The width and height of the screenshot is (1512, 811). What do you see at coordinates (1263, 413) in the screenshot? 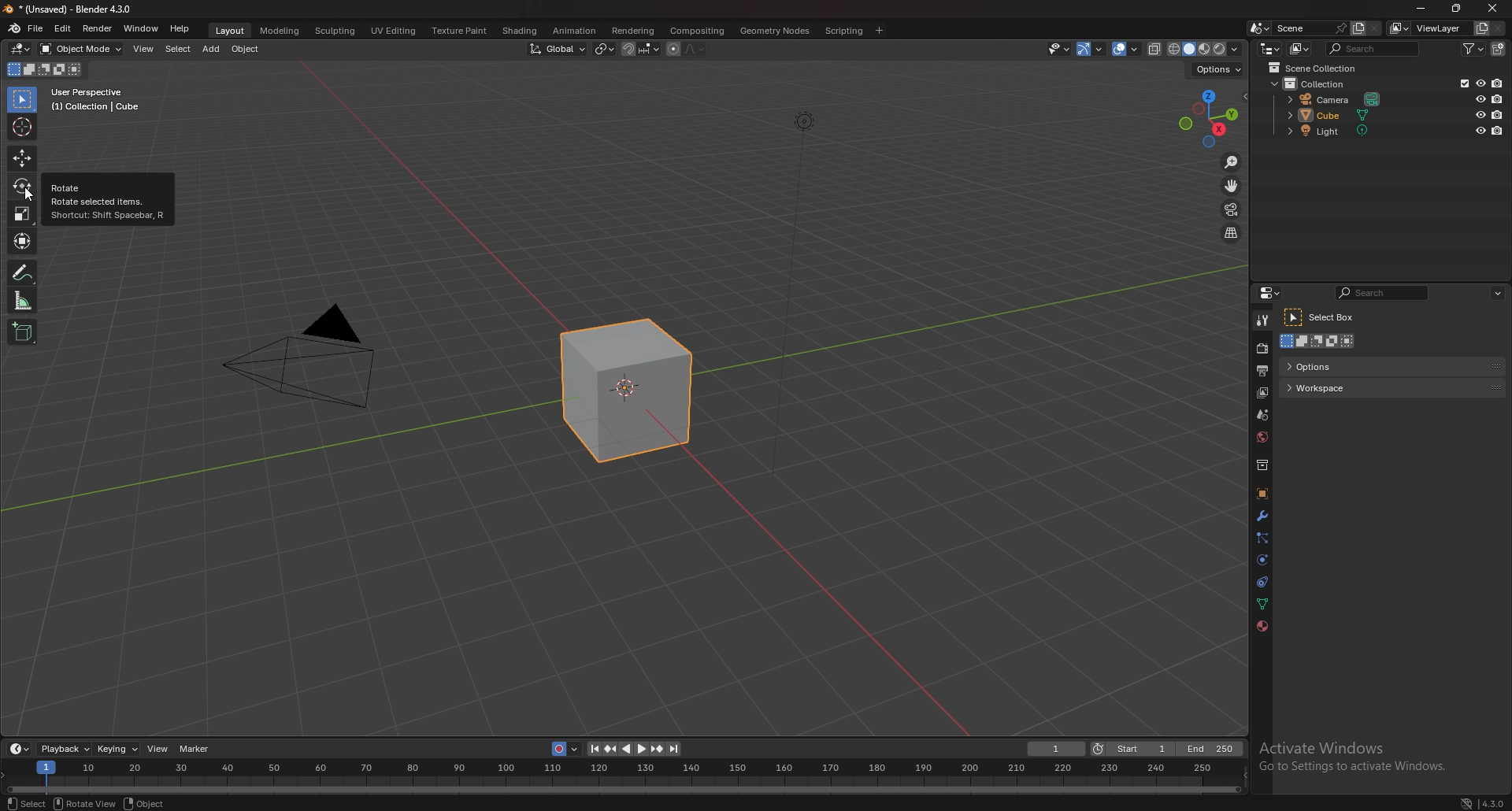
I see `scene` at bounding box center [1263, 413].